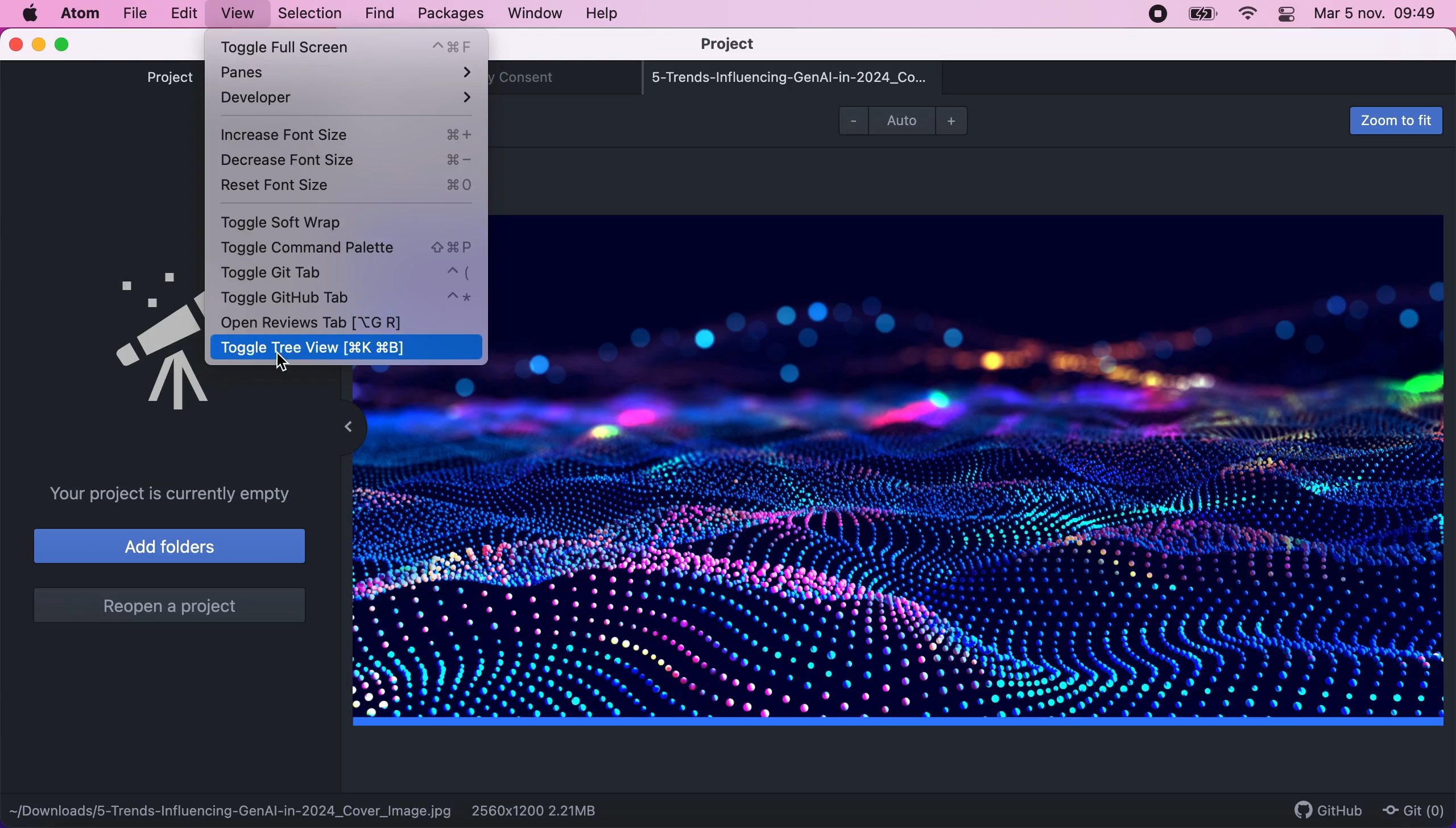 The image size is (1456, 828). I want to click on maximize, so click(71, 43).